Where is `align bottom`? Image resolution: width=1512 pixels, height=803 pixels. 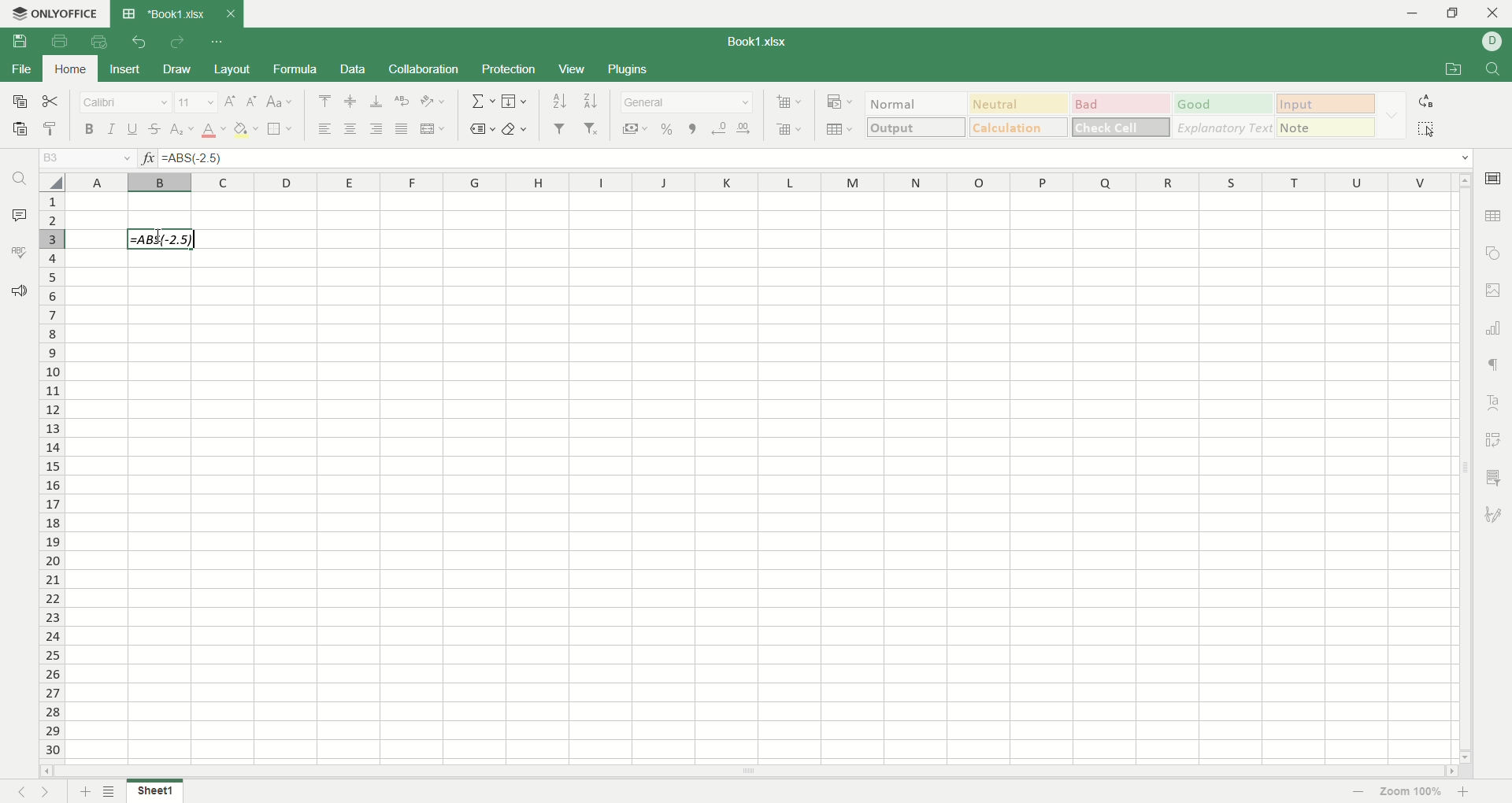 align bottom is located at coordinates (375, 101).